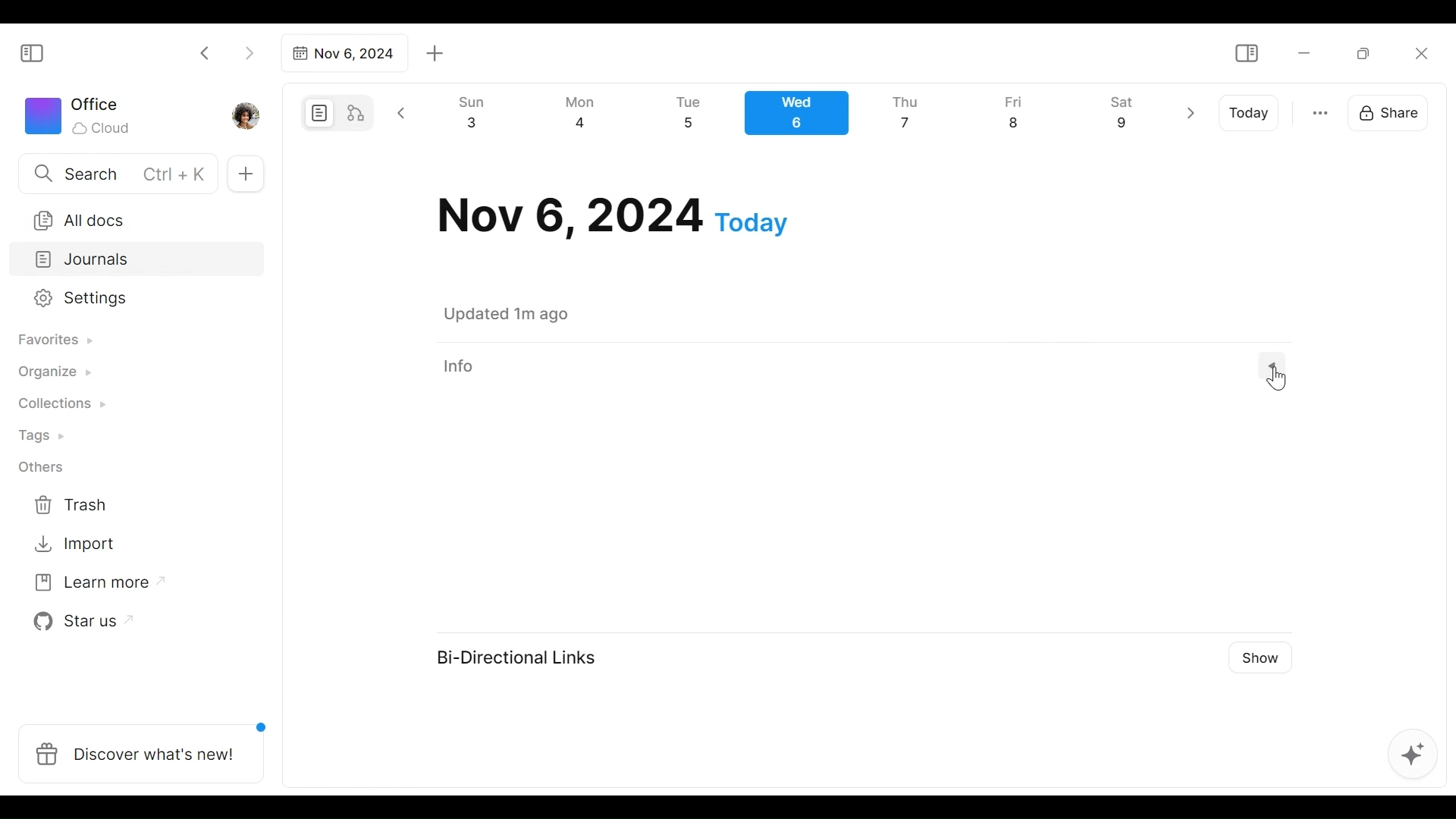 The height and width of the screenshot is (819, 1456). Describe the element at coordinates (803, 117) in the screenshot. I see `Calendar` at that location.